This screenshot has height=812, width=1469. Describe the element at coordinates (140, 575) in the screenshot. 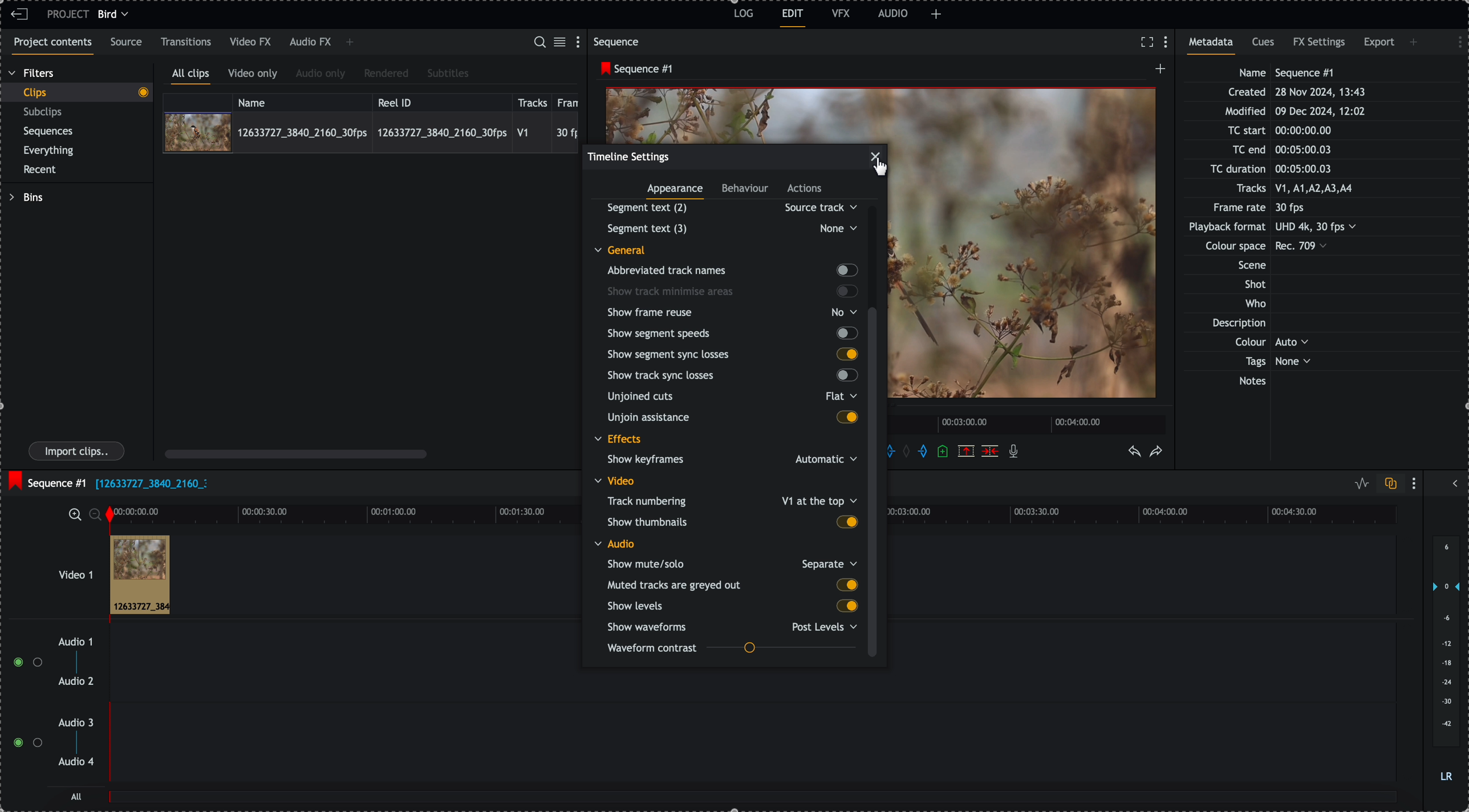

I see `clip` at that location.